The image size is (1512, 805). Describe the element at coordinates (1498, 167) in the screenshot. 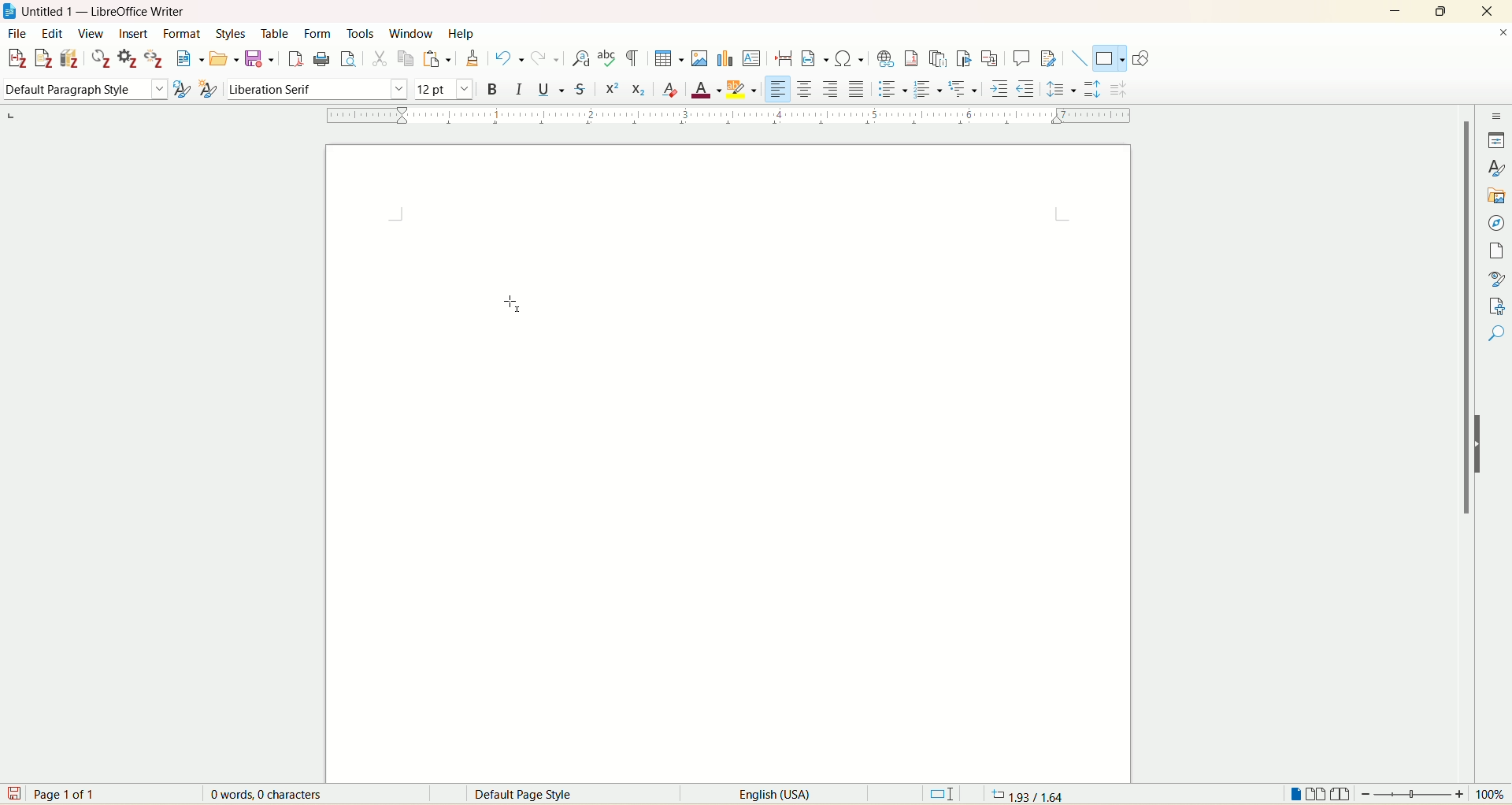

I see `styles` at that location.